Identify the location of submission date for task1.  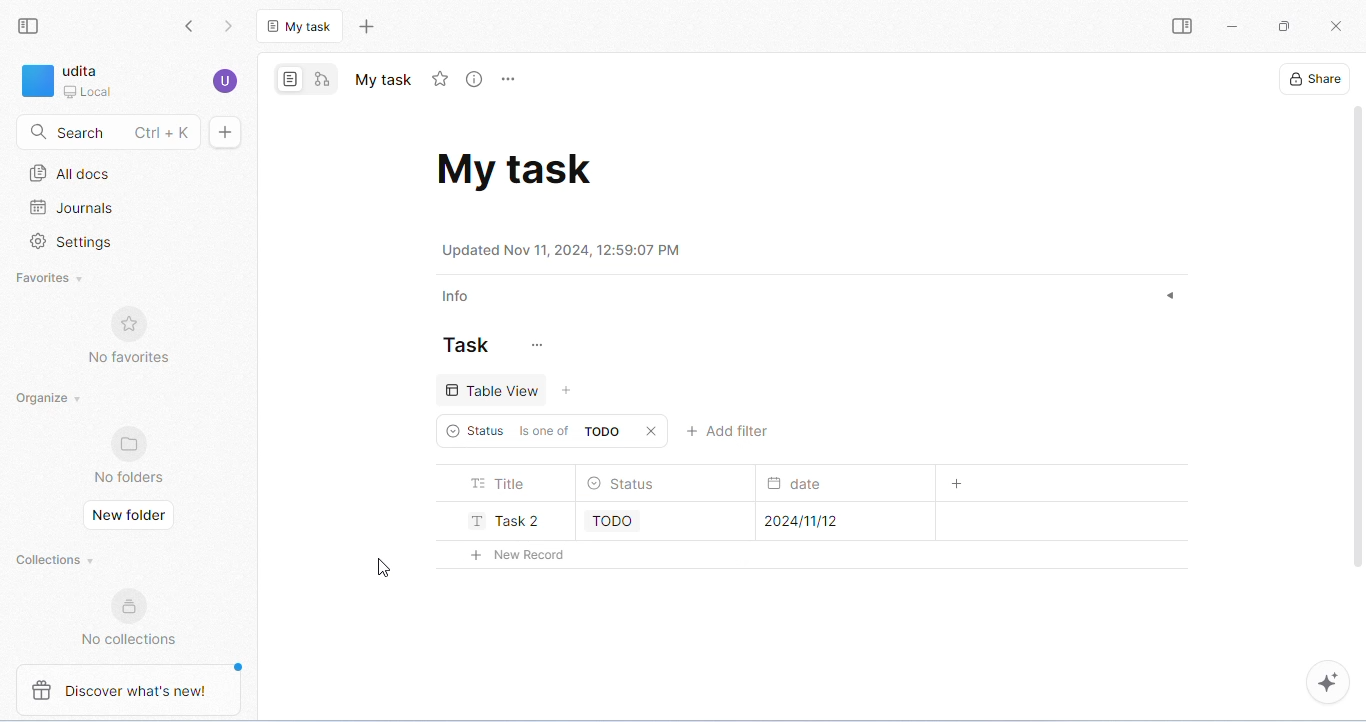
(802, 480).